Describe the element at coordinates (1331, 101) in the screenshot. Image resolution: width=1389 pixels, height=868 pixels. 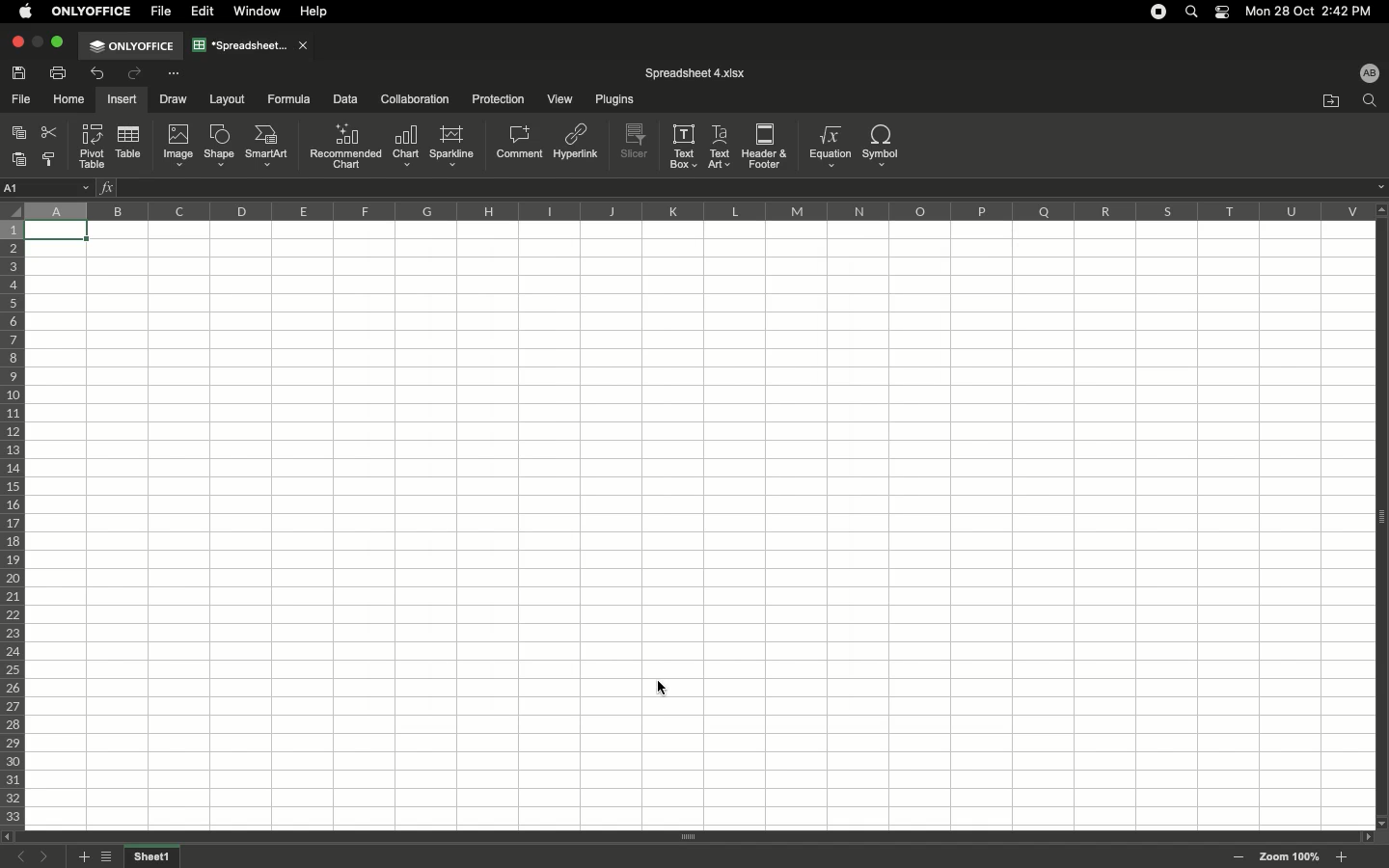
I see `Open file location` at that location.